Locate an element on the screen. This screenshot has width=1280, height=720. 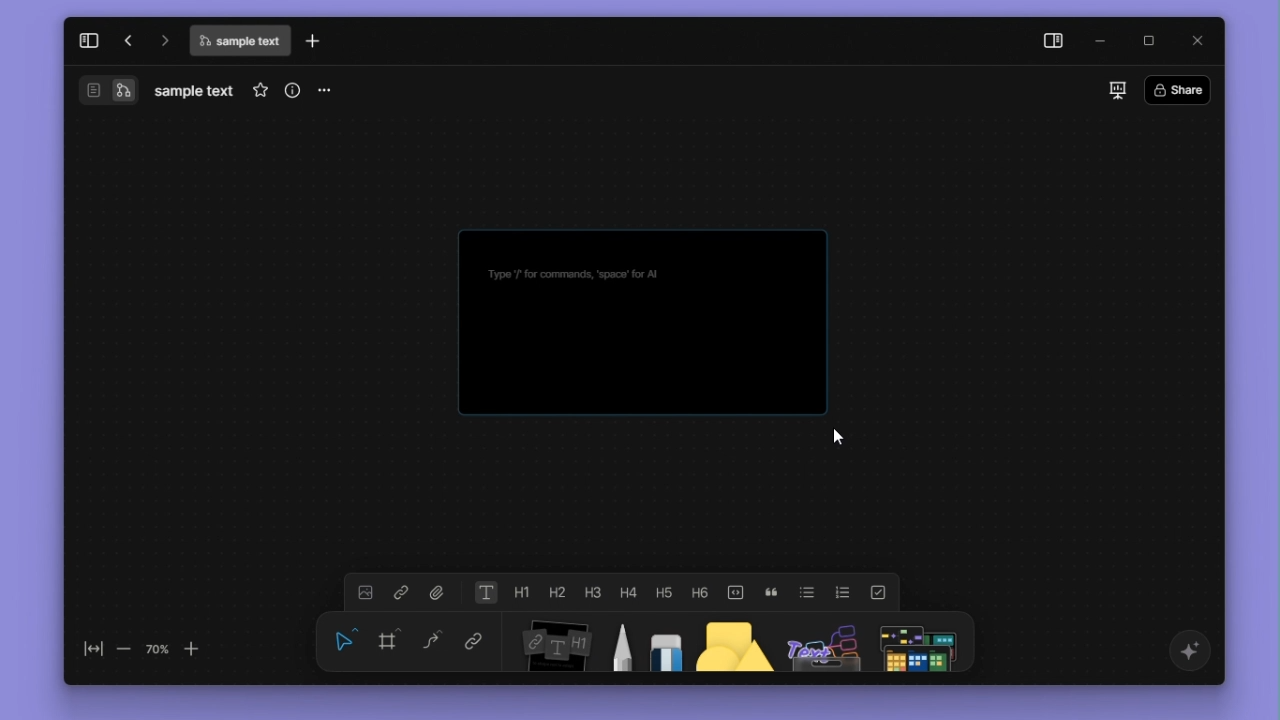
Final Text box (Notes) is located at coordinates (645, 321).